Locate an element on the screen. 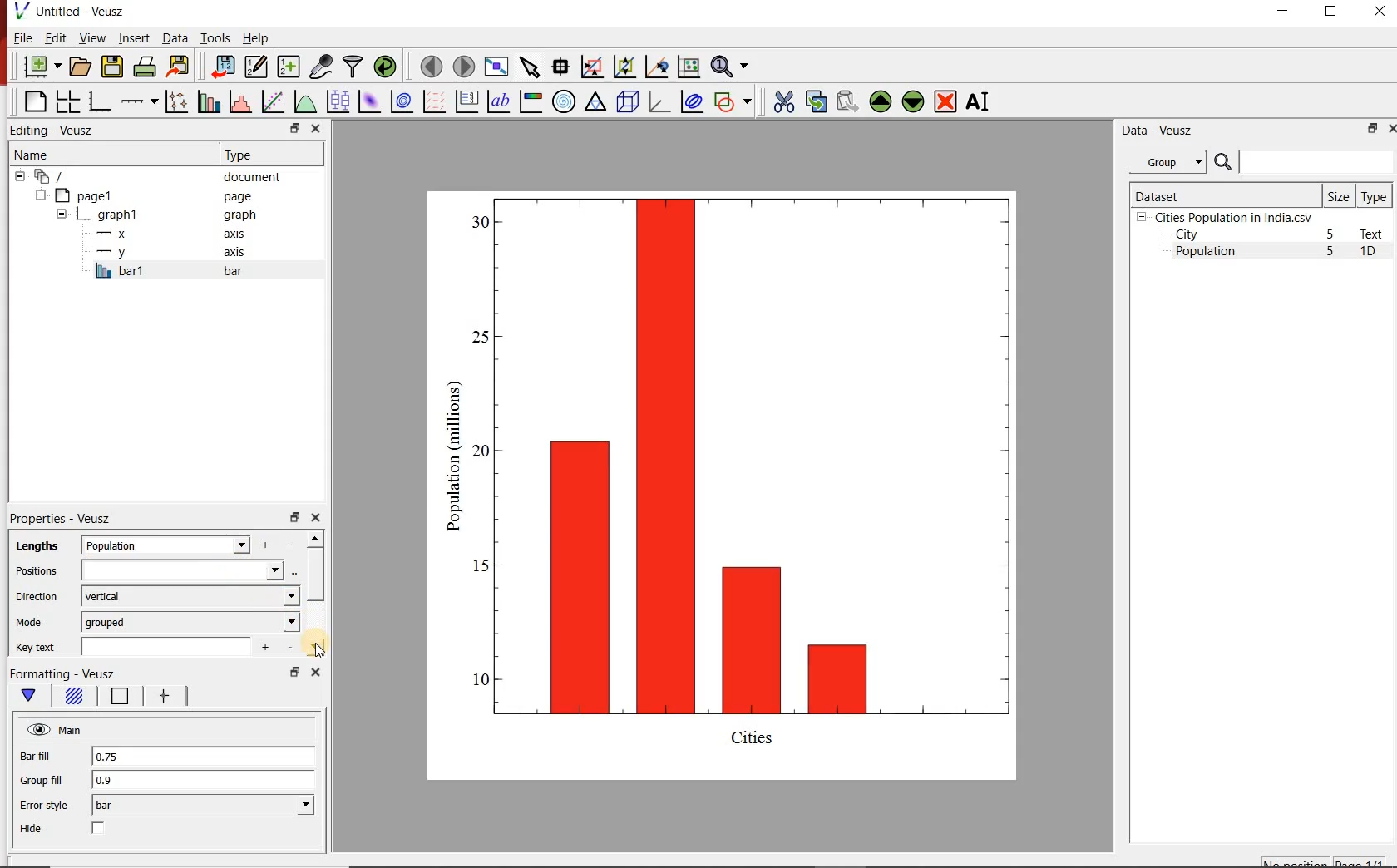  graph1 is located at coordinates (159, 215).